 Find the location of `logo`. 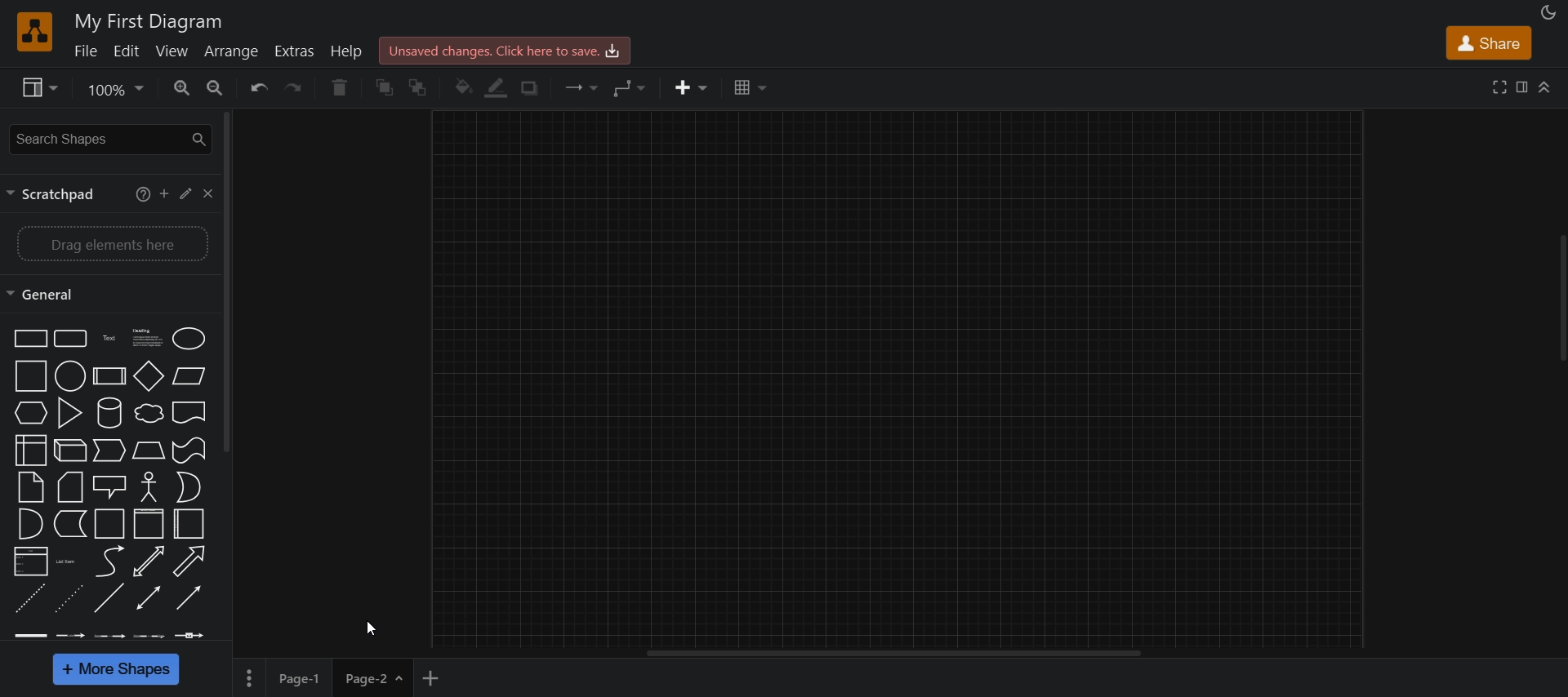

logo is located at coordinates (35, 33).